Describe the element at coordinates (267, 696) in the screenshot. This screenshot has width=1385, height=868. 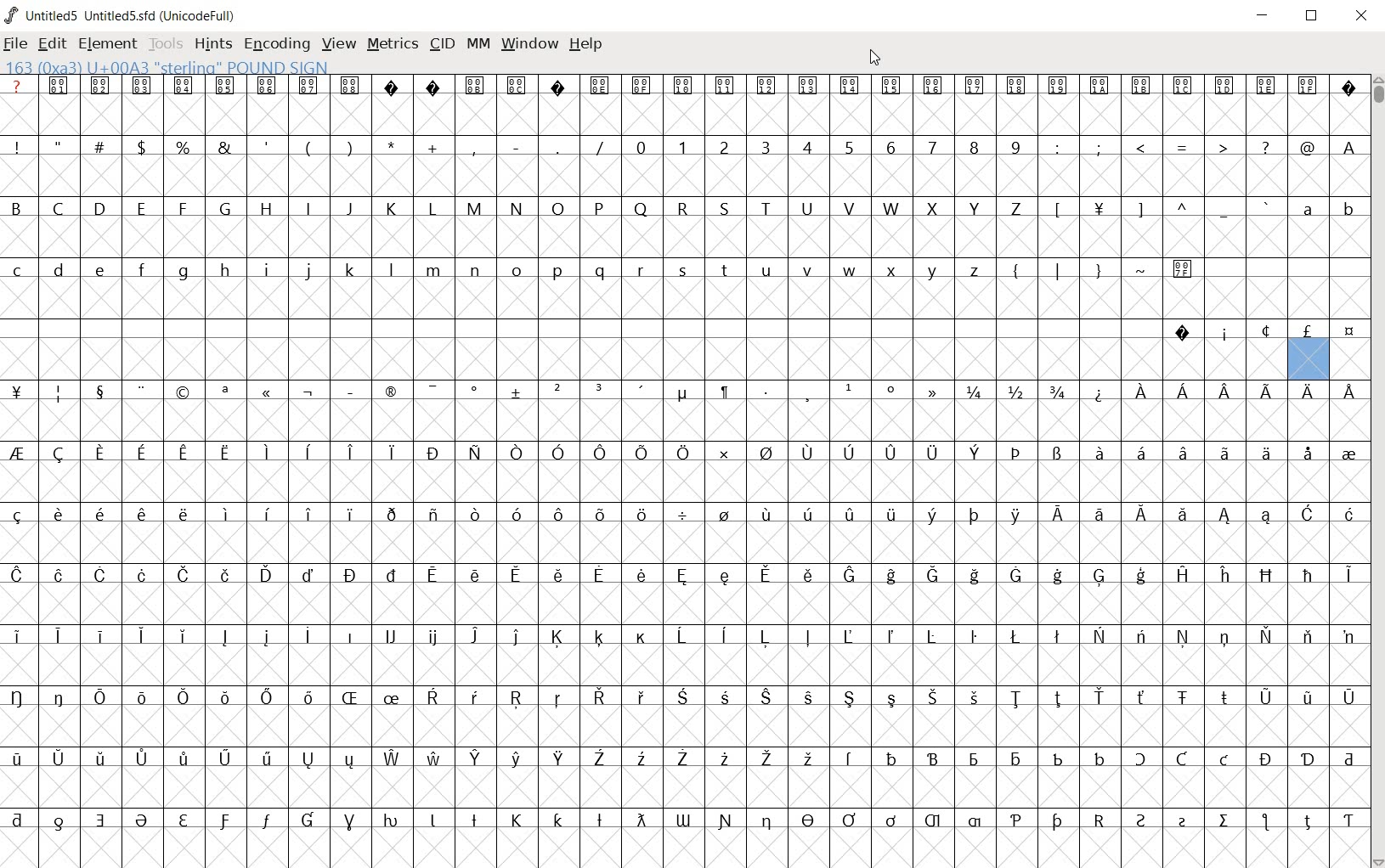
I see `Symbol` at that location.